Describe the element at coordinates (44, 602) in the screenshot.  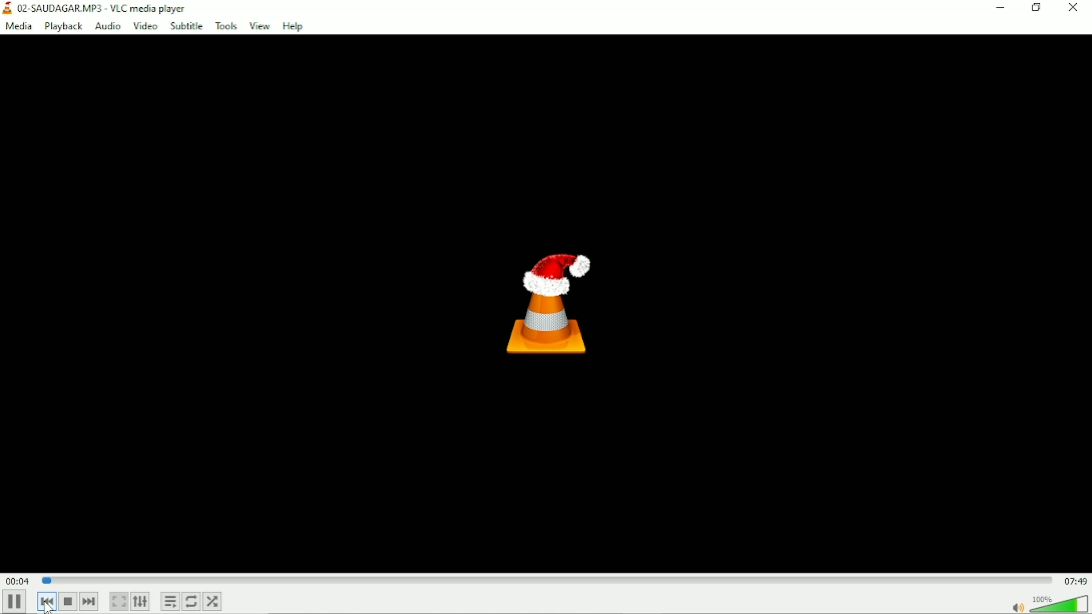
I see `Cursor` at that location.